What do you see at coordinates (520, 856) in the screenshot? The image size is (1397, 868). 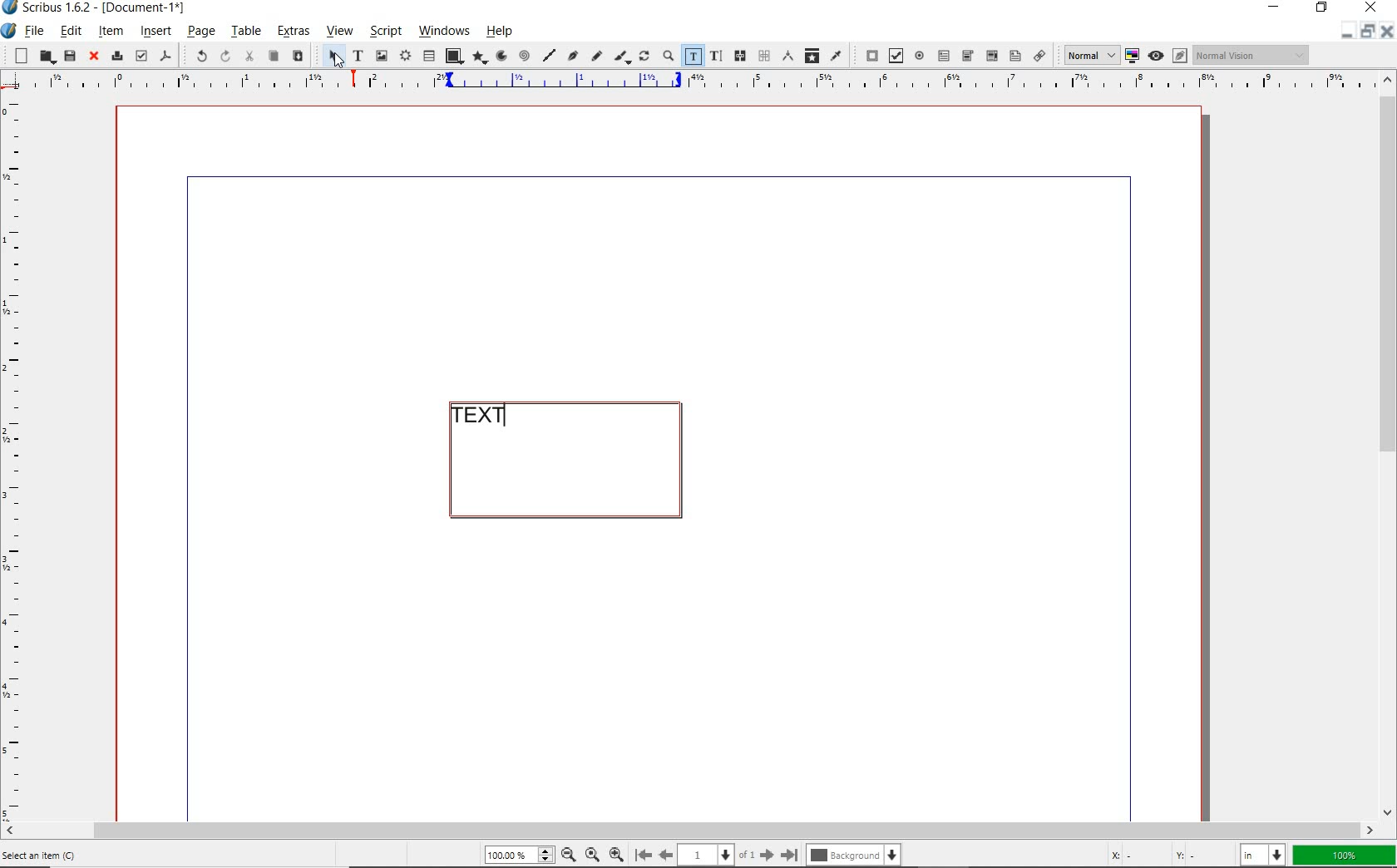 I see `Zoom 100.00%` at bounding box center [520, 856].